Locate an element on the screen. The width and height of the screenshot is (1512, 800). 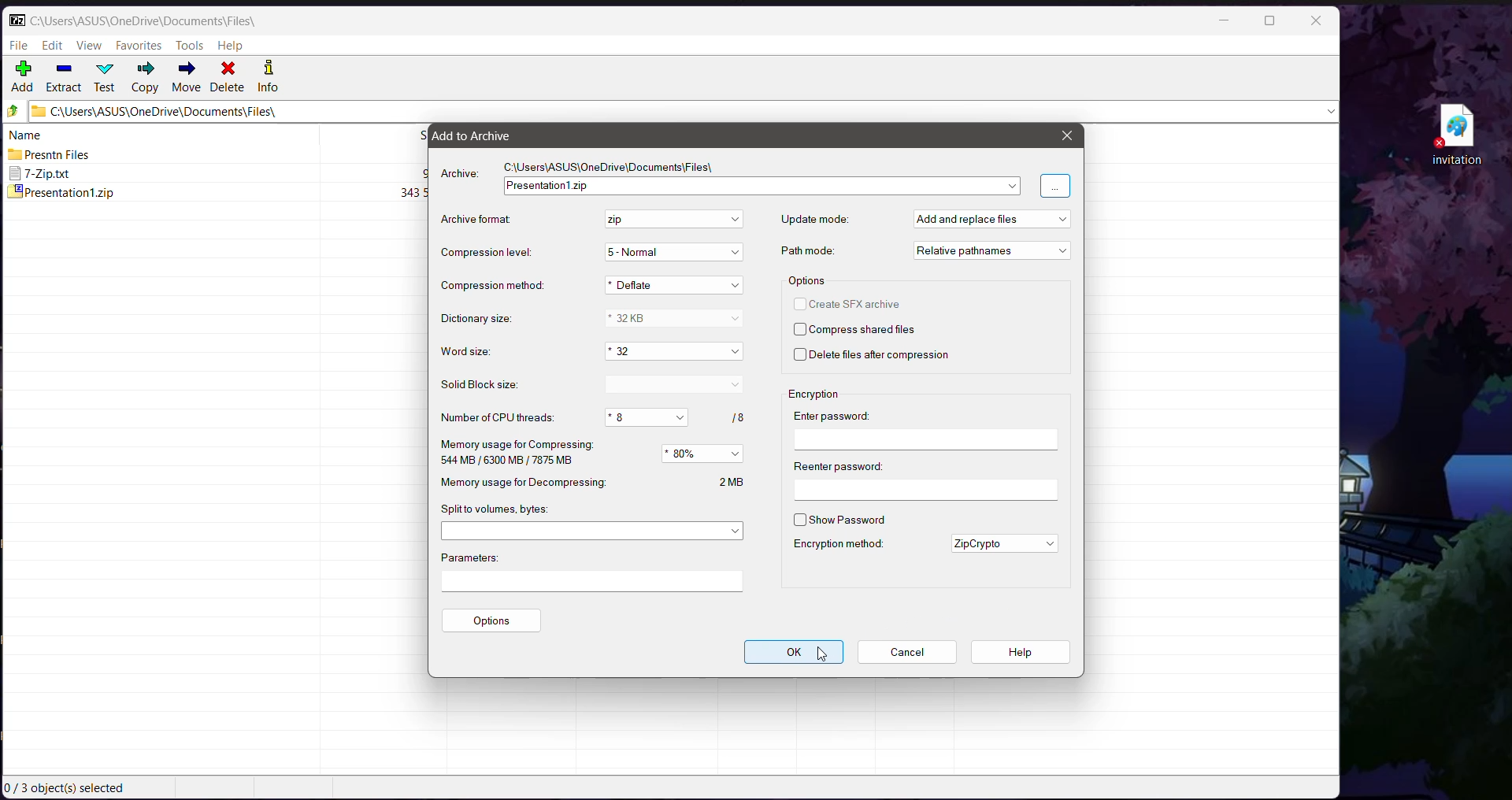
Set the Dictionary size is located at coordinates (674, 317).